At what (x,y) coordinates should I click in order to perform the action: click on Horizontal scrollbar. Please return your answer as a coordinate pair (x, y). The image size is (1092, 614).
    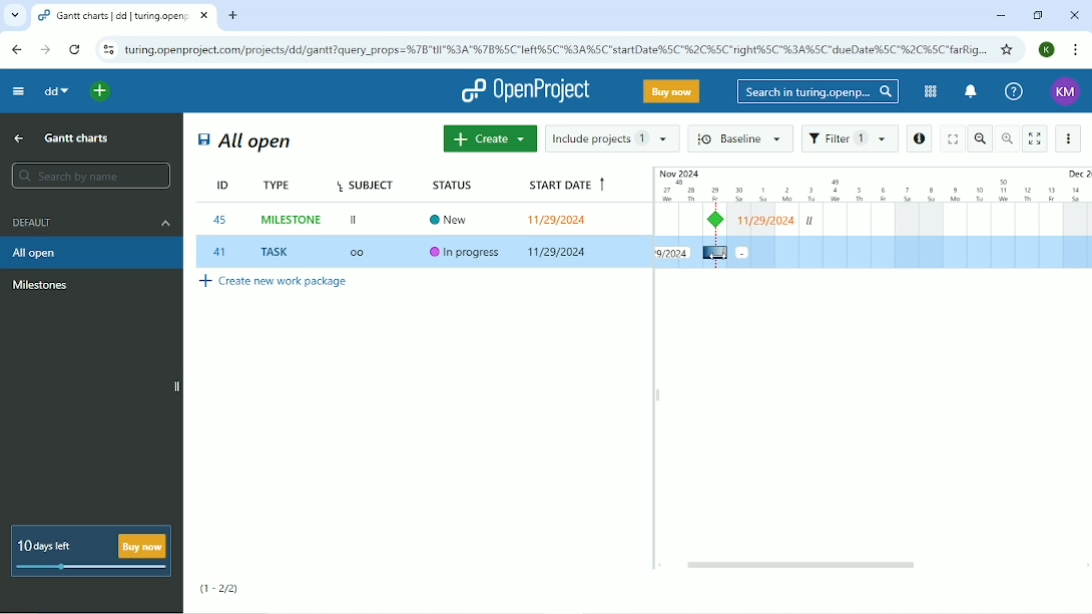
    Looking at the image, I should click on (804, 565).